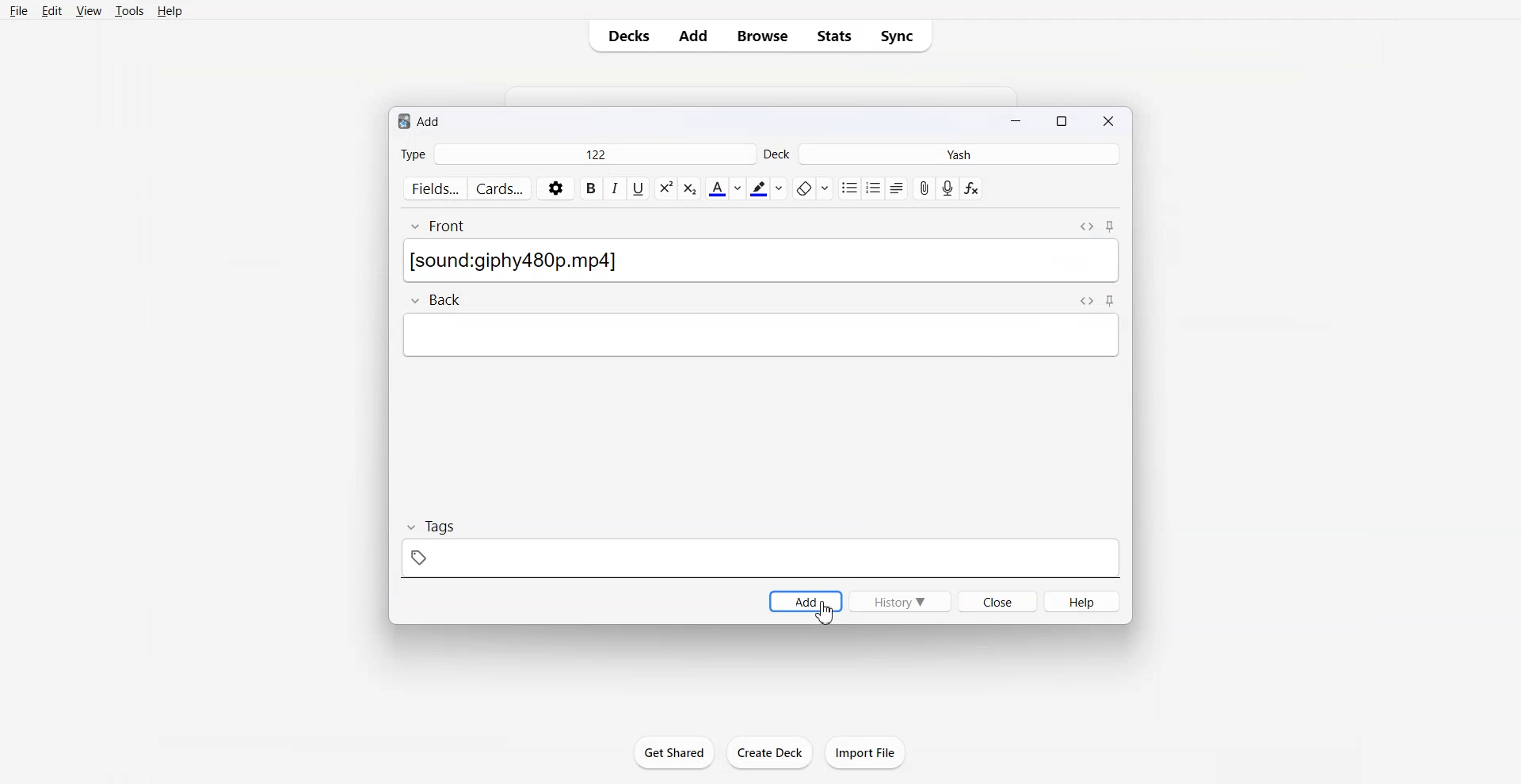  What do you see at coordinates (128, 12) in the screenshot?
I see `Tools` at bounding box center [128, 12].